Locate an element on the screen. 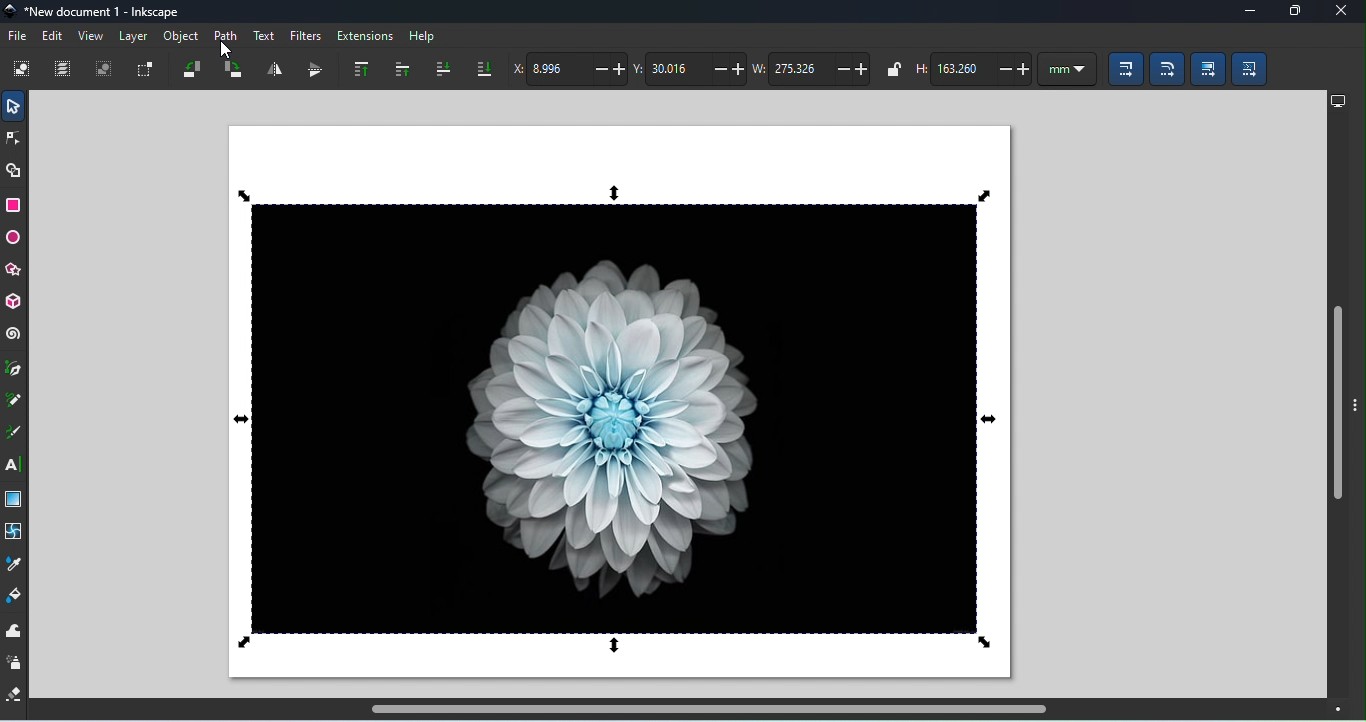  Object is located at coordinates (181, 38).